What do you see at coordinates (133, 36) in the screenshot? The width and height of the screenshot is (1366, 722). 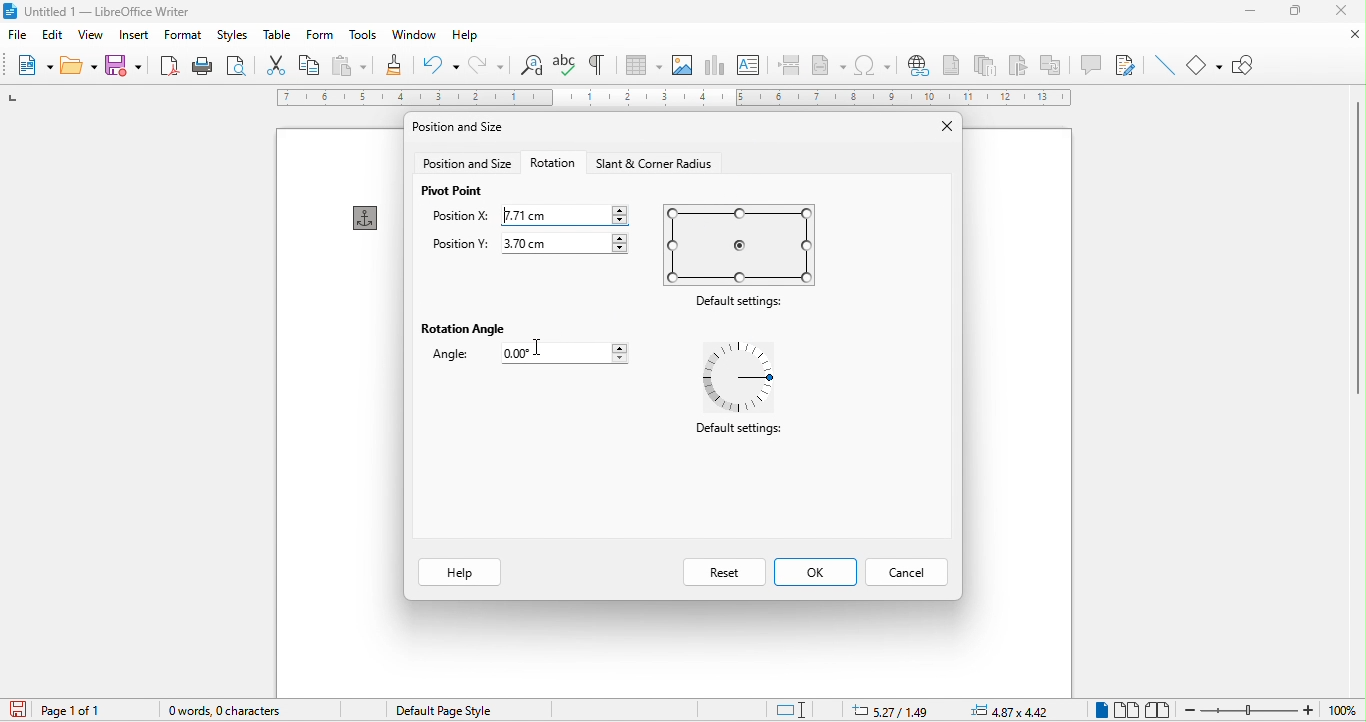 I see `insert` at bounding box center [133, 36].